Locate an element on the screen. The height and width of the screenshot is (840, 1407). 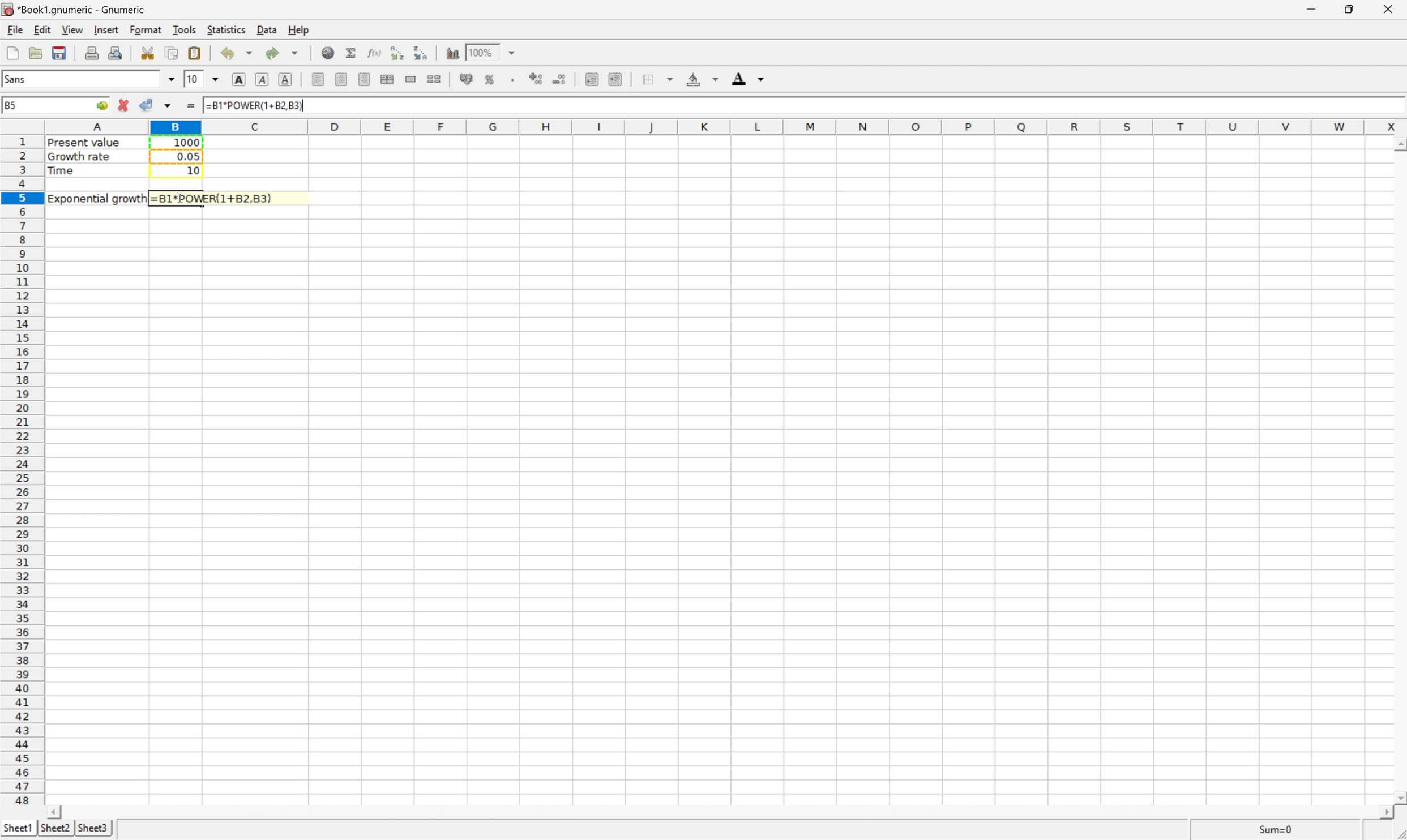
Format the selection as accounting is located at coordinates (467, 78).